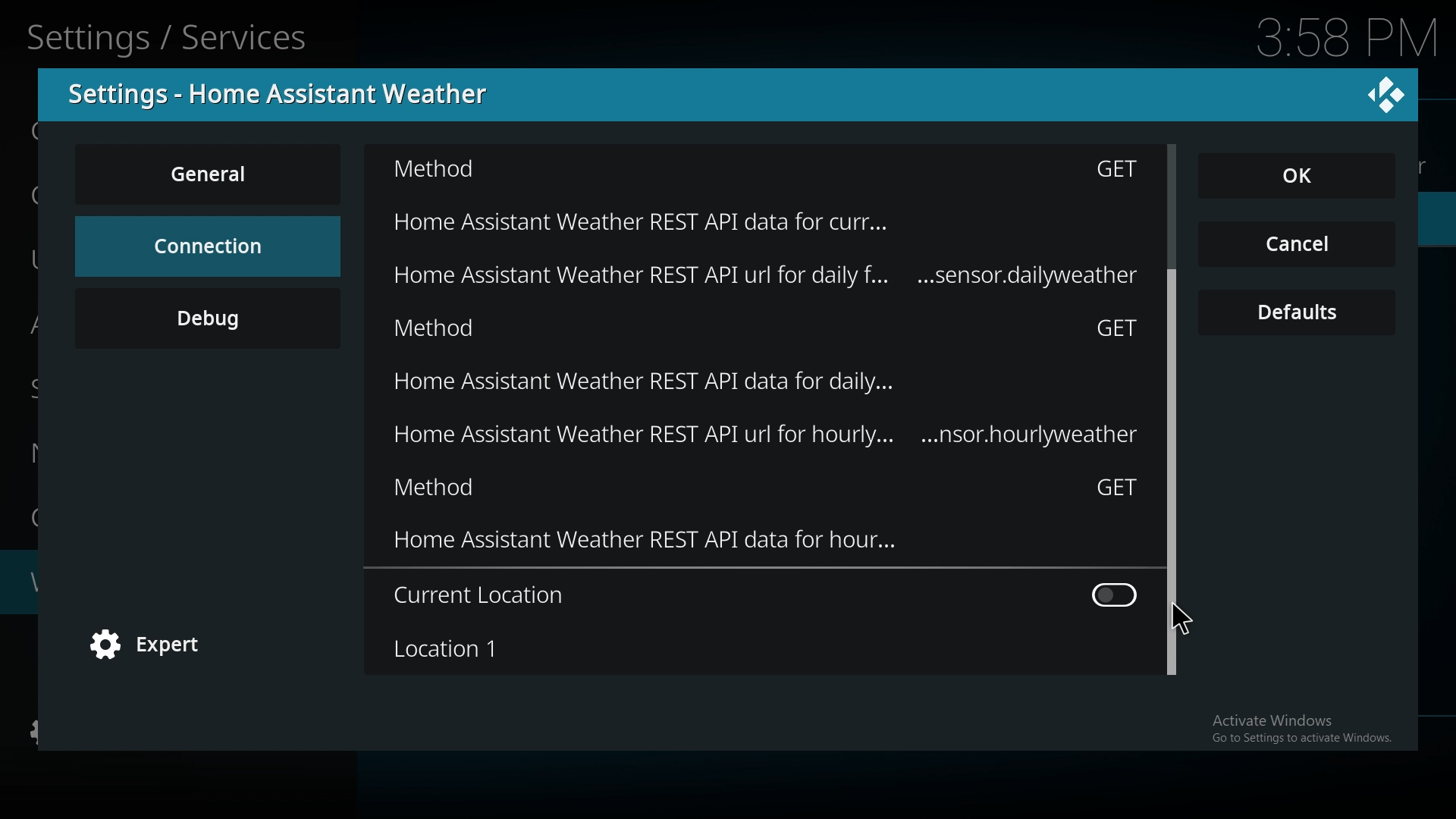 This screenshot has width=1456, height=819. What do you see at coordinates (804, 279) in the screenshot?
I see `Home assistant weather rest API data for daily` at bounding box center [804, 279].